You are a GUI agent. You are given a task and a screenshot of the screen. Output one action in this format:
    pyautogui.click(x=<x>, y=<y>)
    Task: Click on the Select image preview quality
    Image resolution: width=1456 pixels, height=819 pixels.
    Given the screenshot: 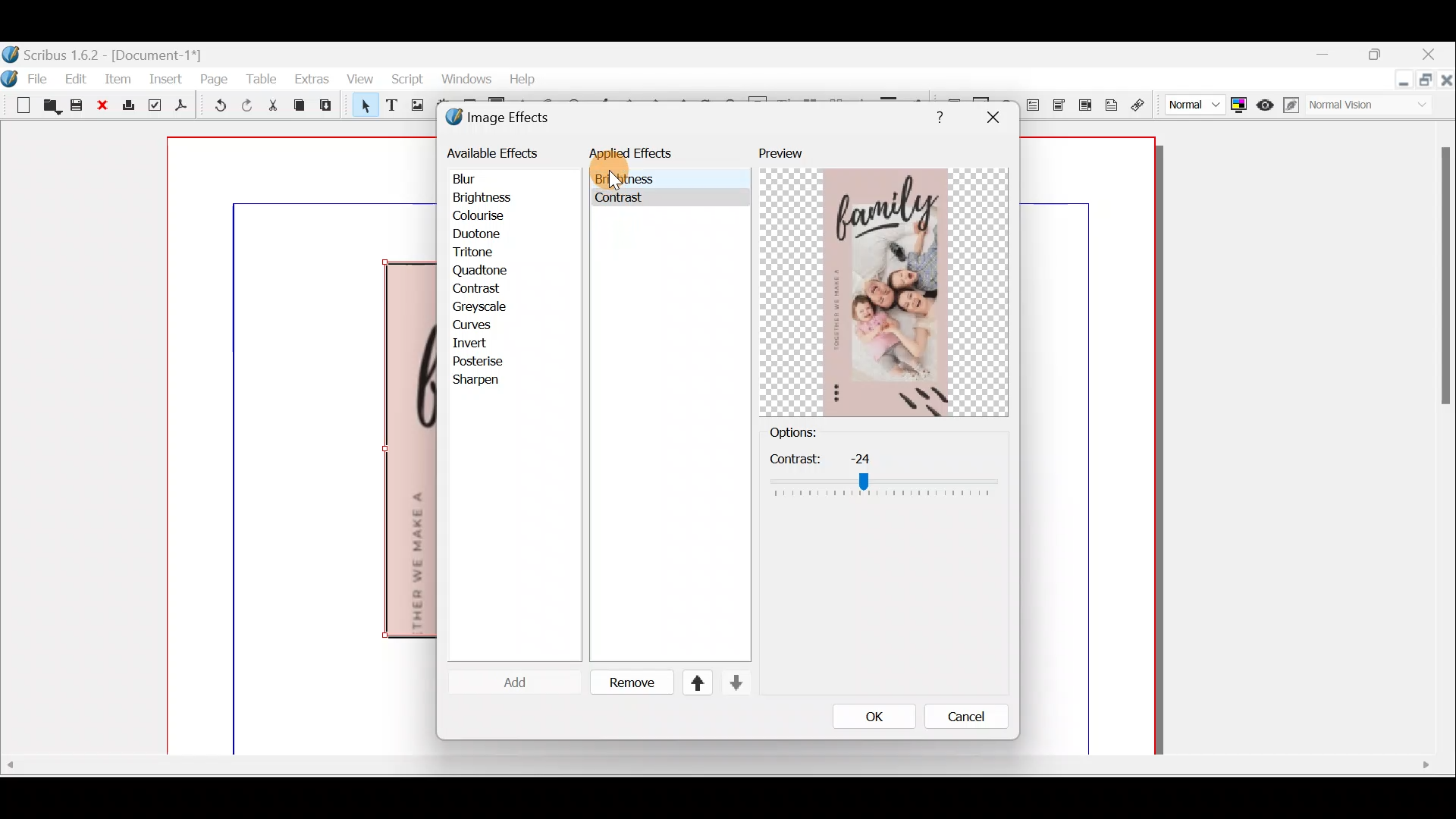 What is the action you would take?
    pyautogui.click(x=1191, y=102)
    